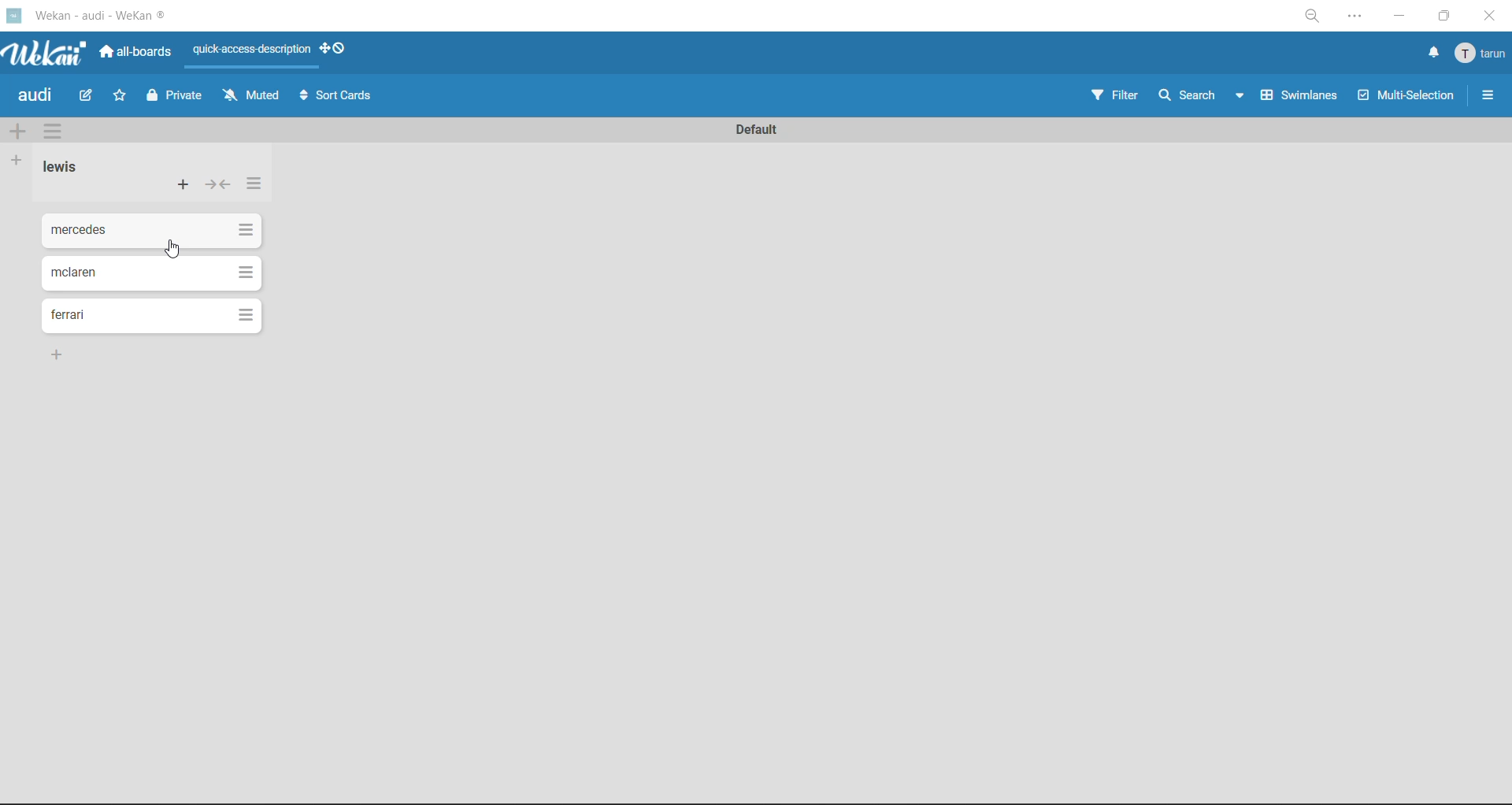  What do you see at coordinates (159, 315) in the screenshot?
I see `cards` at bounding box center [159, 315].